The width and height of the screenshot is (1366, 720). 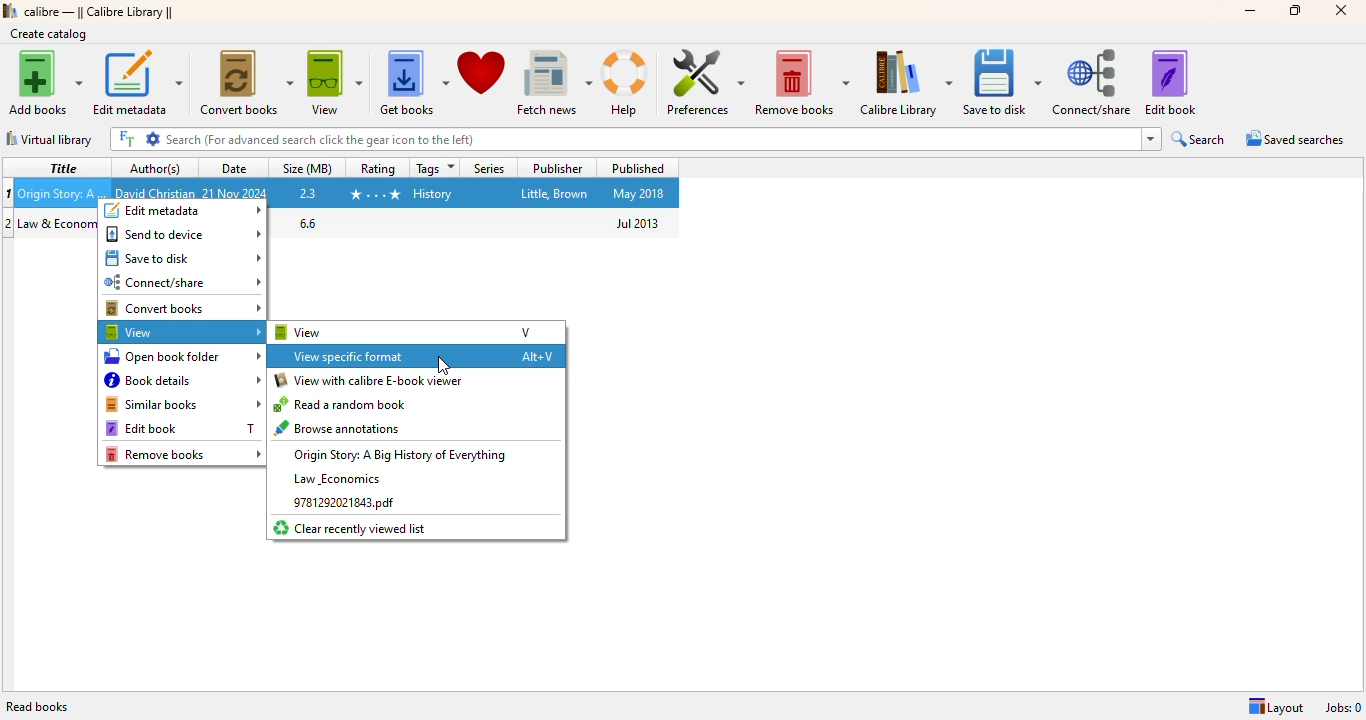 What do you see at coordinates (246, 83) in the screenshot?
I see `convert books` at bounding box center [246, 83].